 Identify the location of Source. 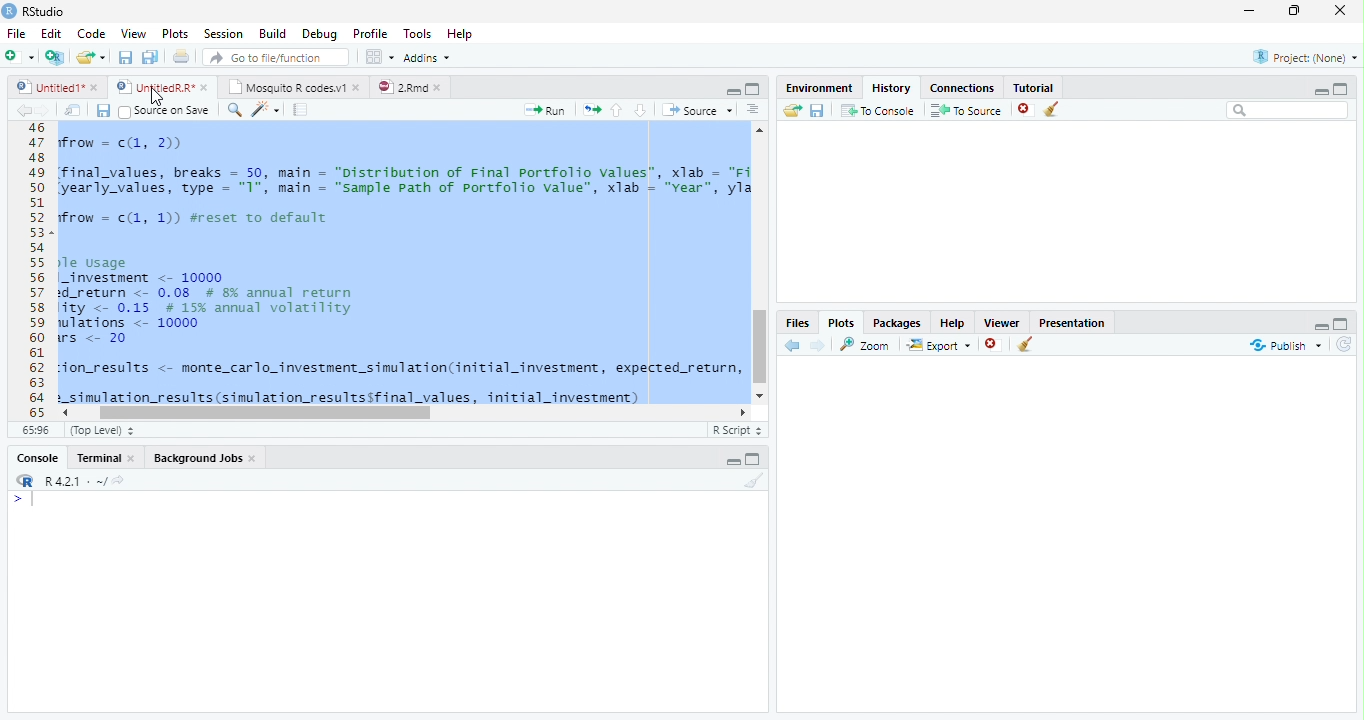
(696, 109).